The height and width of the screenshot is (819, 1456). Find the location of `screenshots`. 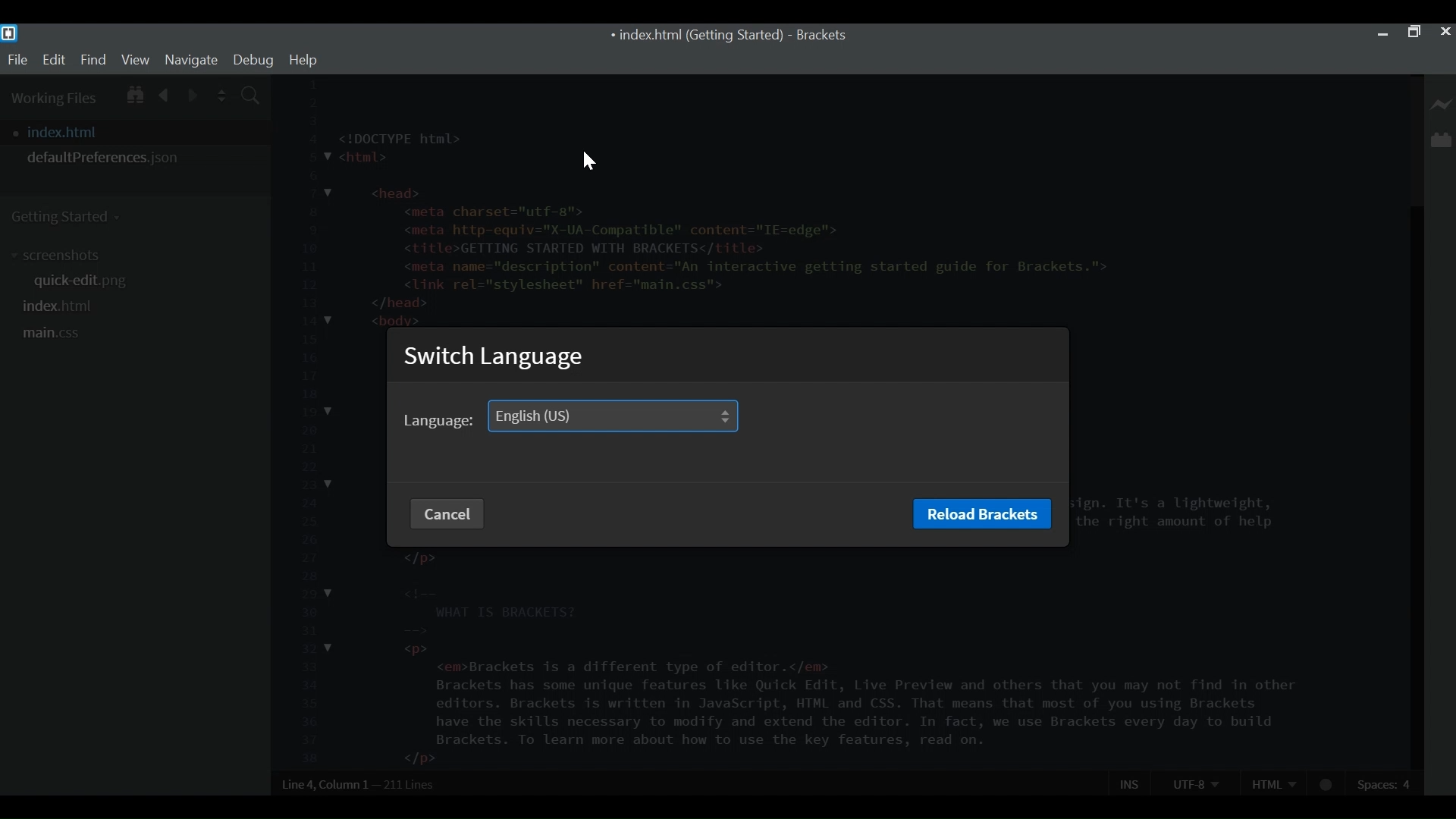

screenshots is located at coordinates (60, 256).